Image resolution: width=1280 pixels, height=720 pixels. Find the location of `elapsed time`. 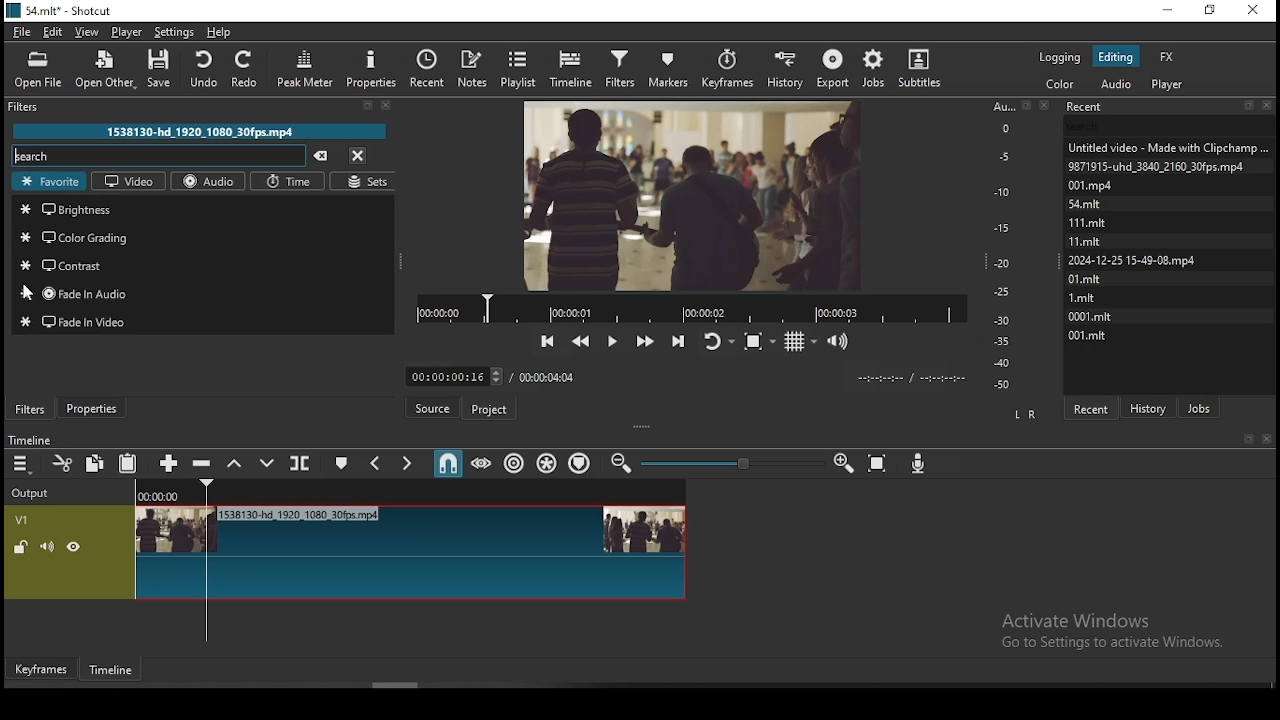

elapsed time is located at coordinates (451, 372).